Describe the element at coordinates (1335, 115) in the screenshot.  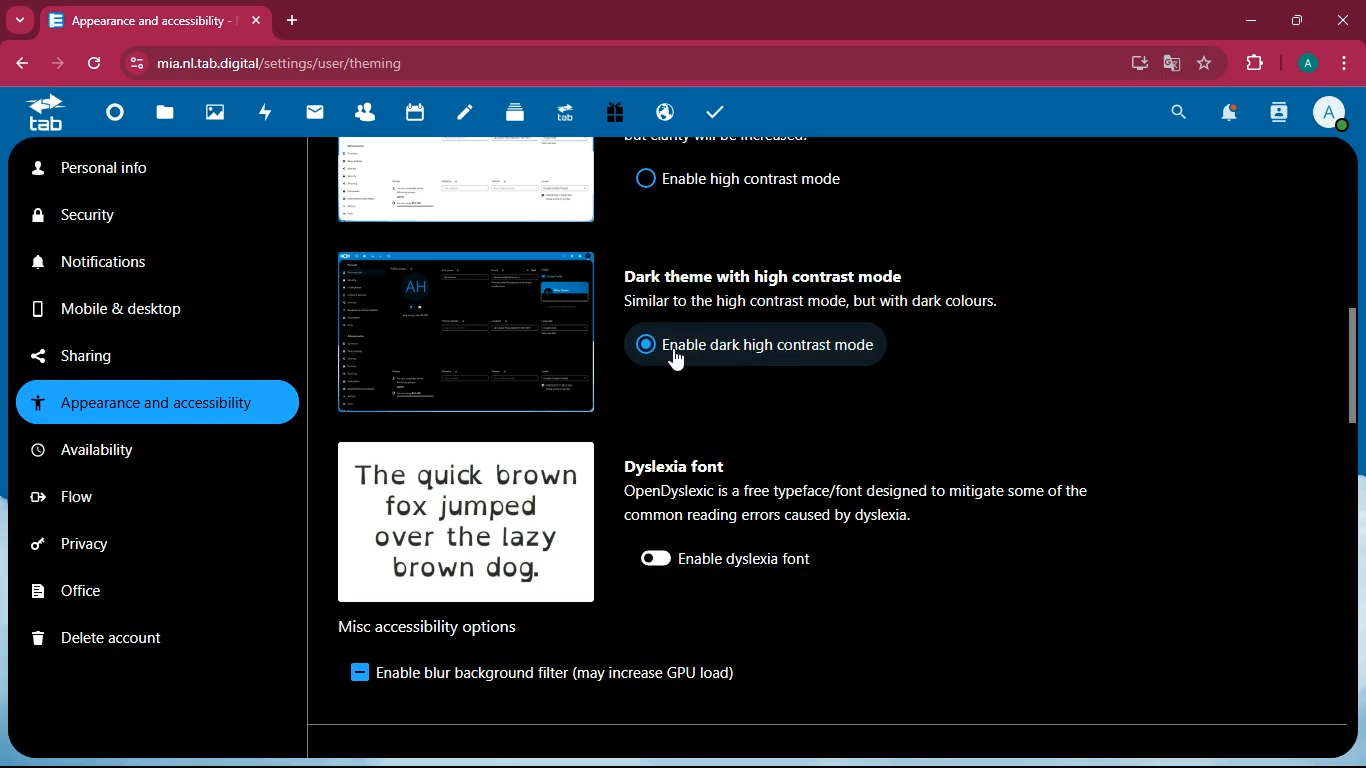
I see `profile` at that location.